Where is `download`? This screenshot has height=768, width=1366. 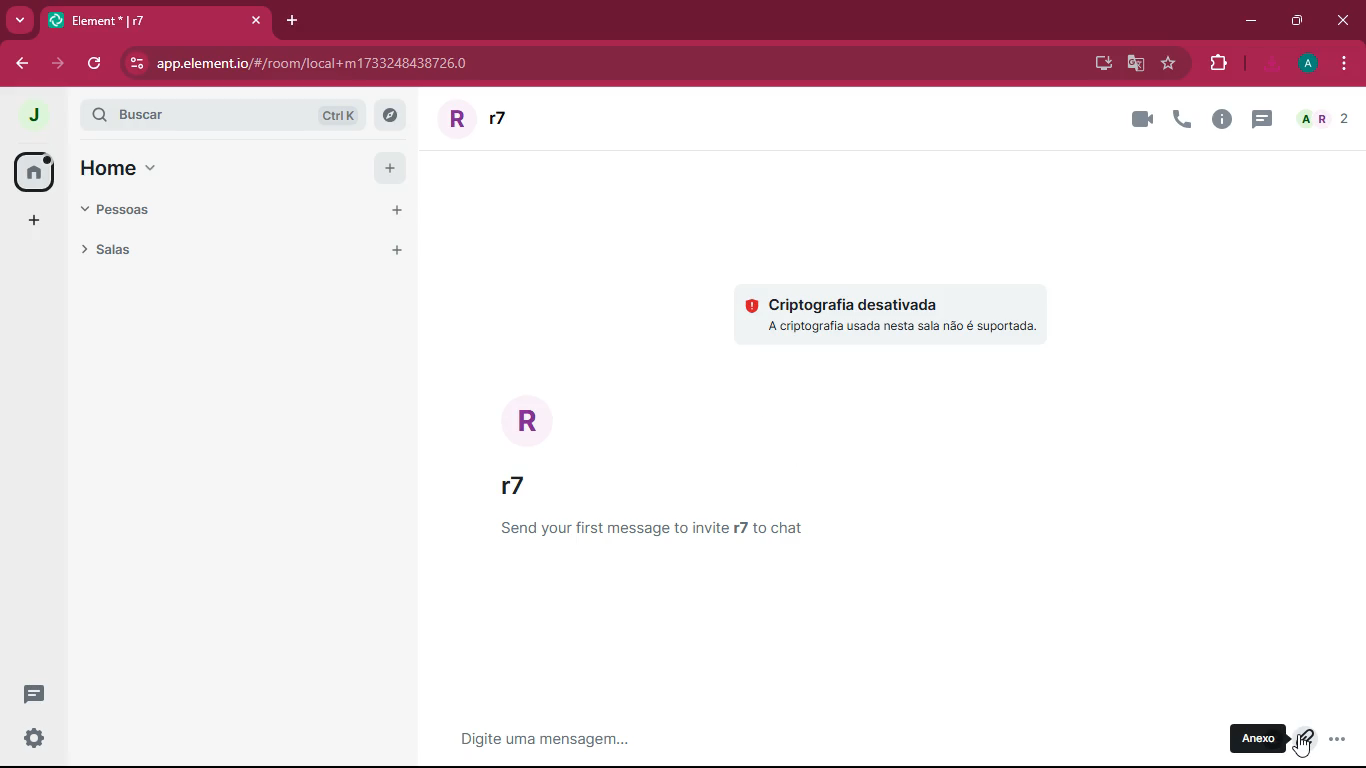 download is located at coordinates (1272, 65).